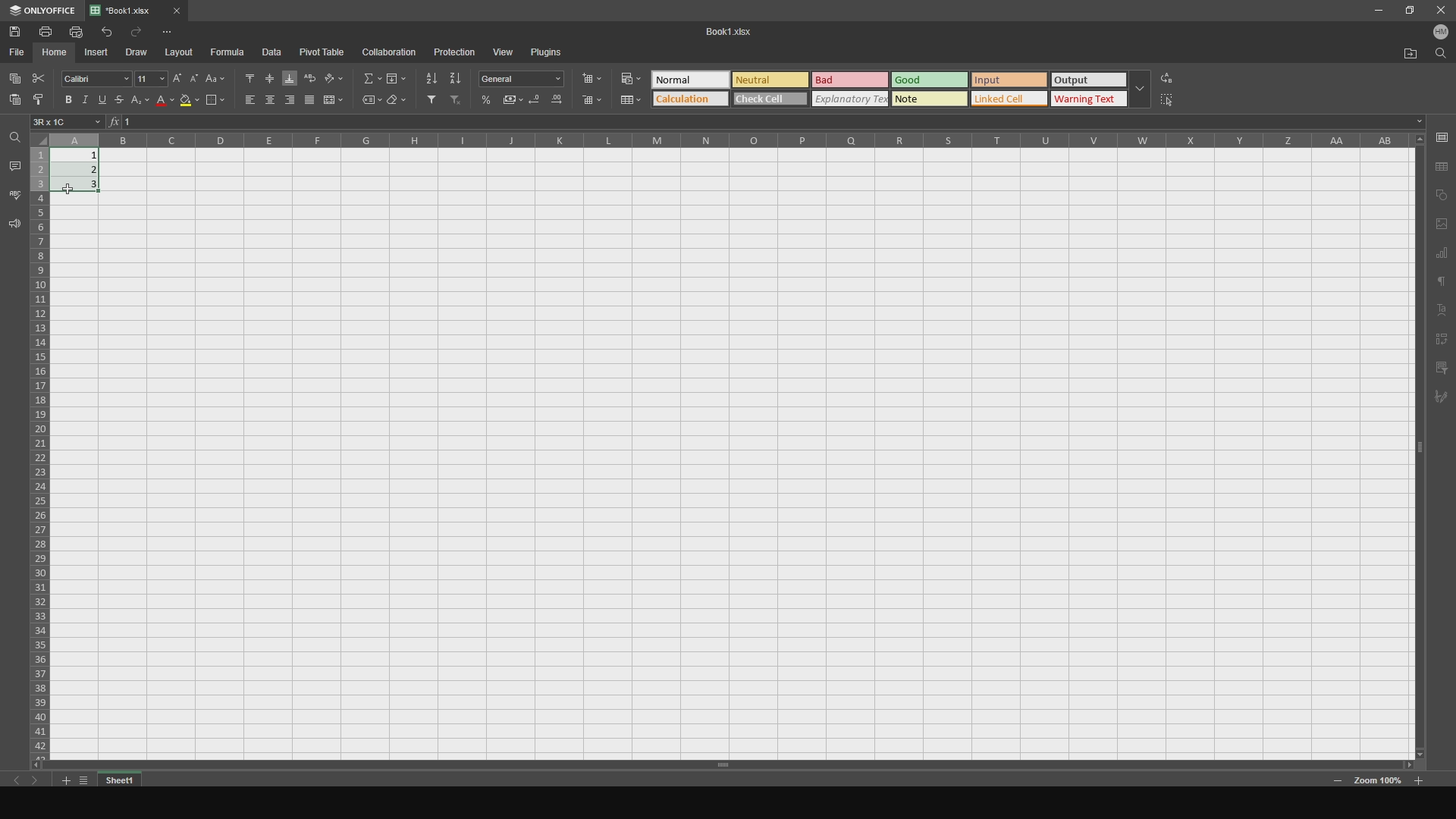 Image resolution: width=1456 pixels, height=819 pixels. What do you see at coordinates (193, 74) in the screenshot?
I see `decrement font size` at bounding box center [193, 74].